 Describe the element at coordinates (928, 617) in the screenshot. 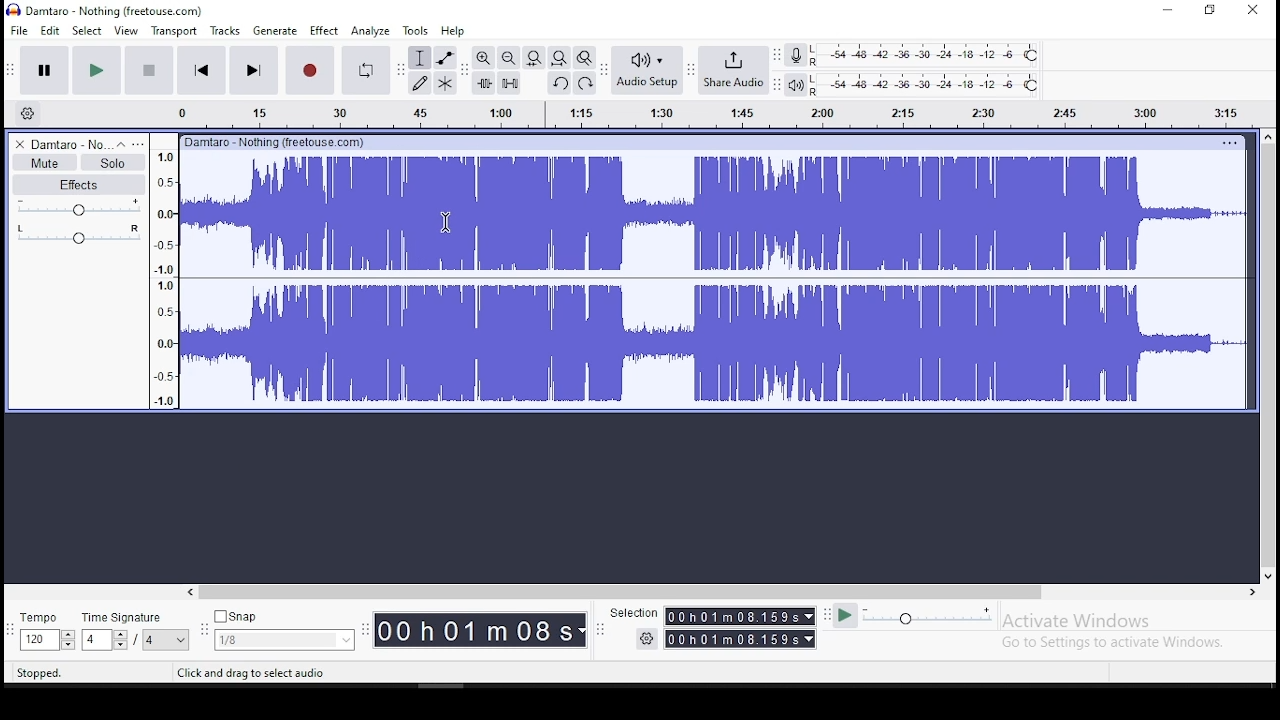

I see `playback speed` at that location.